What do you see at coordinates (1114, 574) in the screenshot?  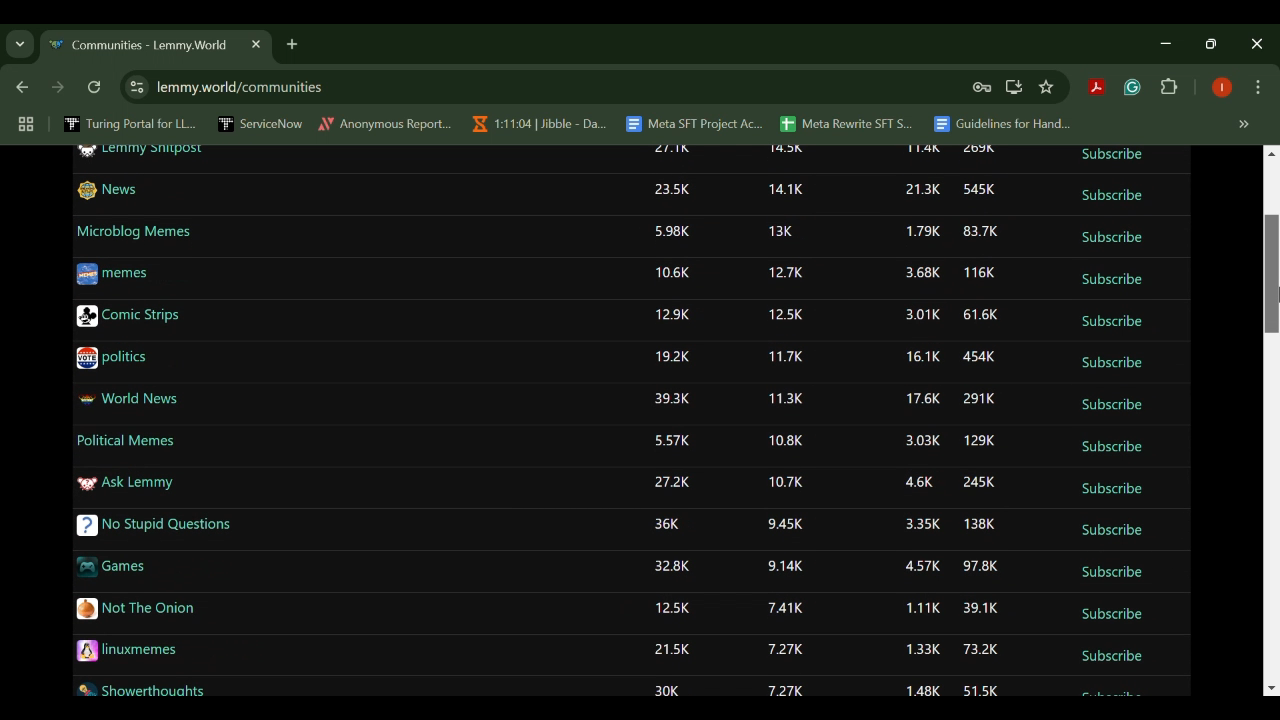 I see `Subscribe` at bounding box center [1114, 574].